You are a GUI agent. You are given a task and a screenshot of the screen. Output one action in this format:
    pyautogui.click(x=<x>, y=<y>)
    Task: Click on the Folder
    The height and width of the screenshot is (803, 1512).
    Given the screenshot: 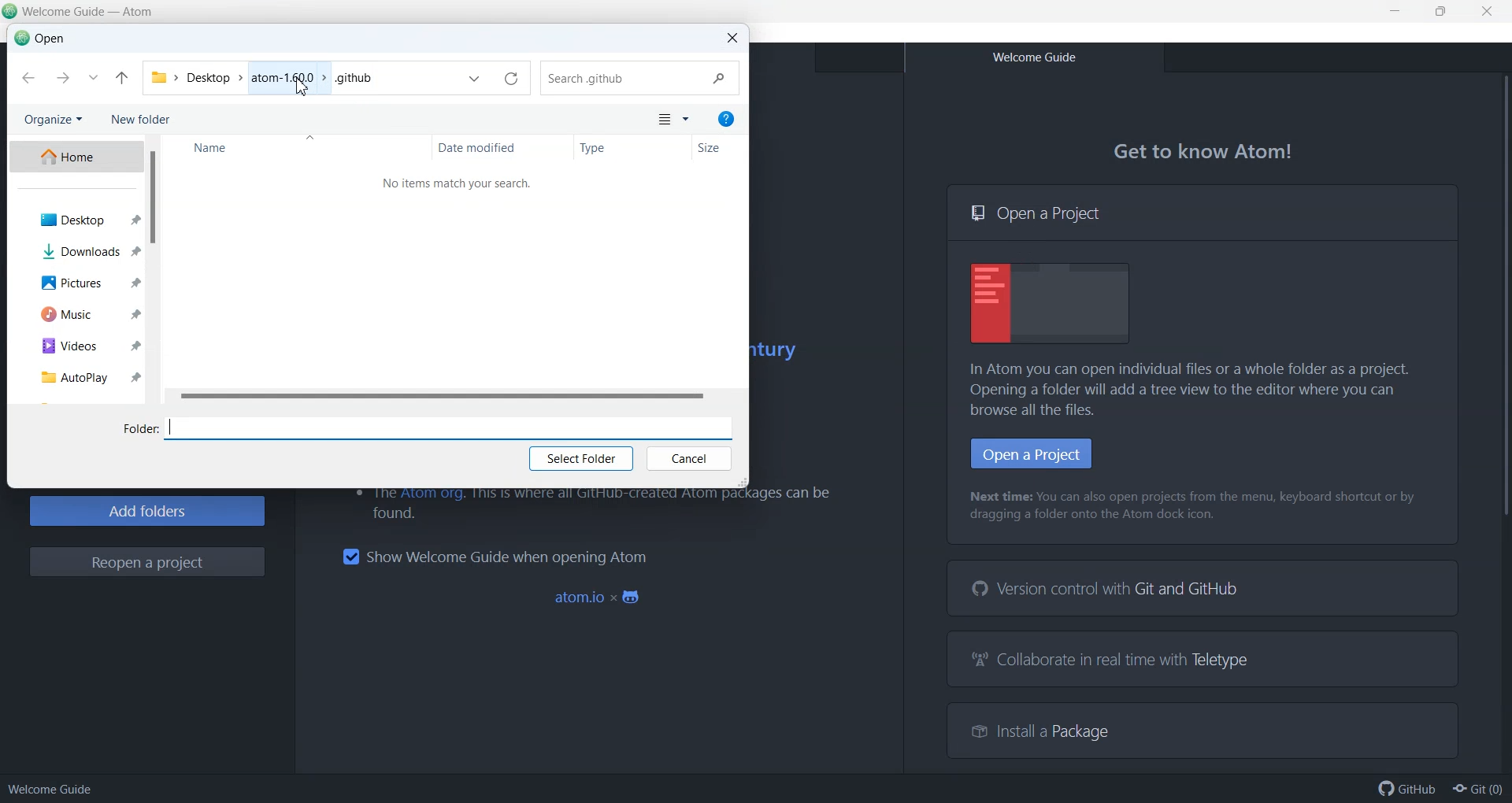 What is the action you would take?
    pyautogui.click(x=159, y=76)
    